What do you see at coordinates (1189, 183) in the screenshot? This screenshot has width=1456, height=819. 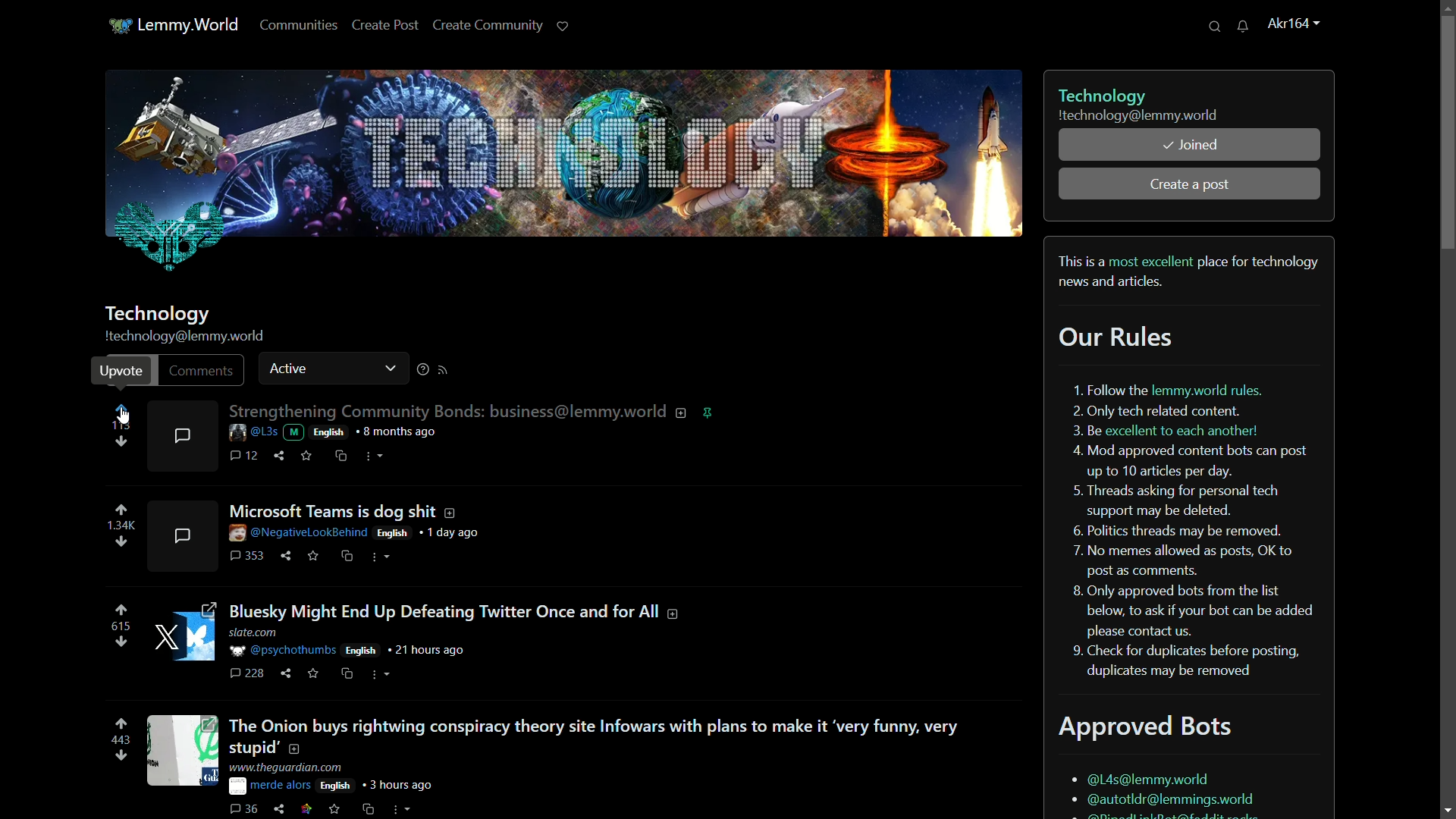 I see `create a post` at bounding box center [1189, 183].